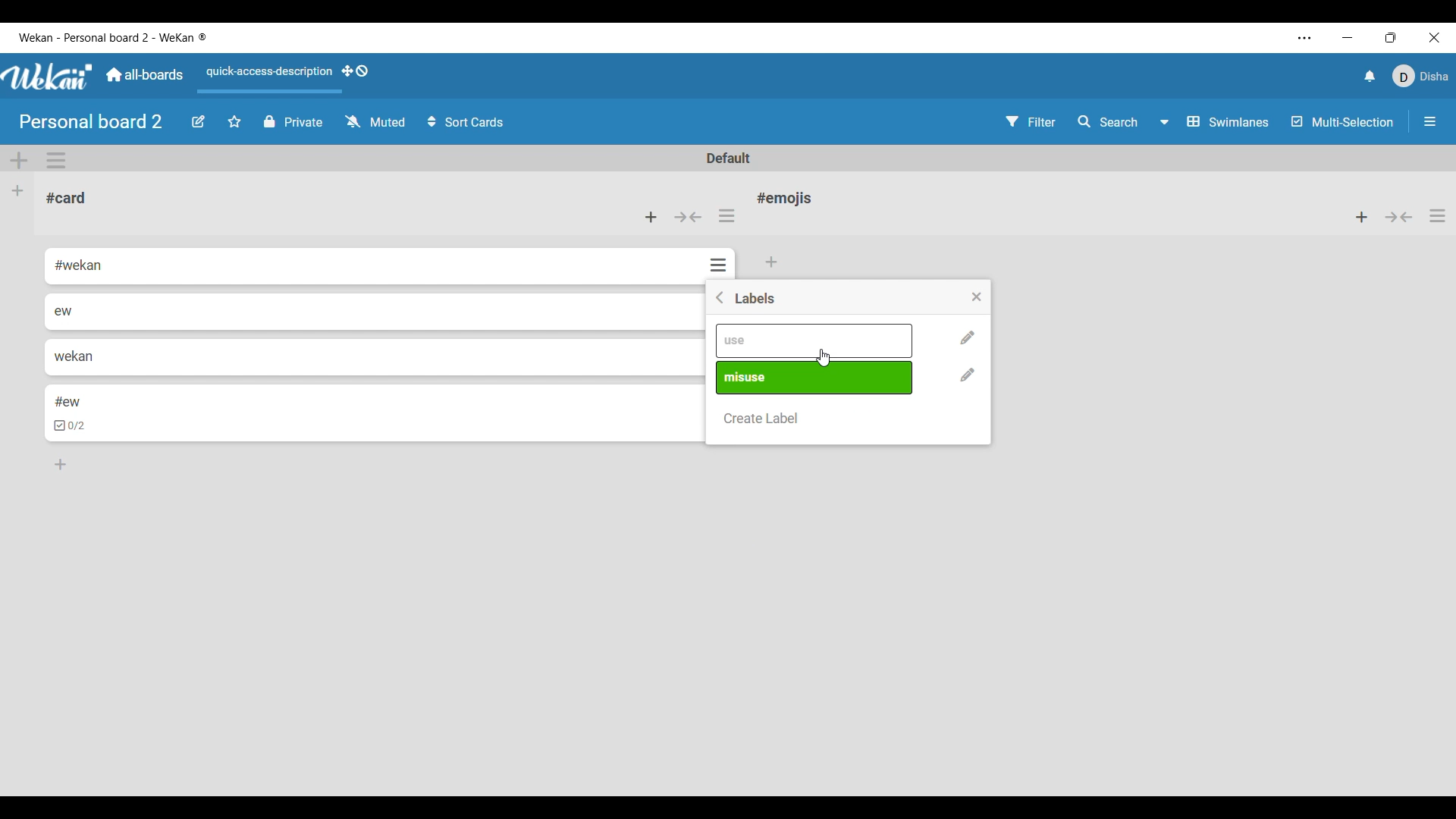  What do you see at coordinates (466, 121) in the screenshot?
I see `Sort card options` at bounding box center [466, 121].